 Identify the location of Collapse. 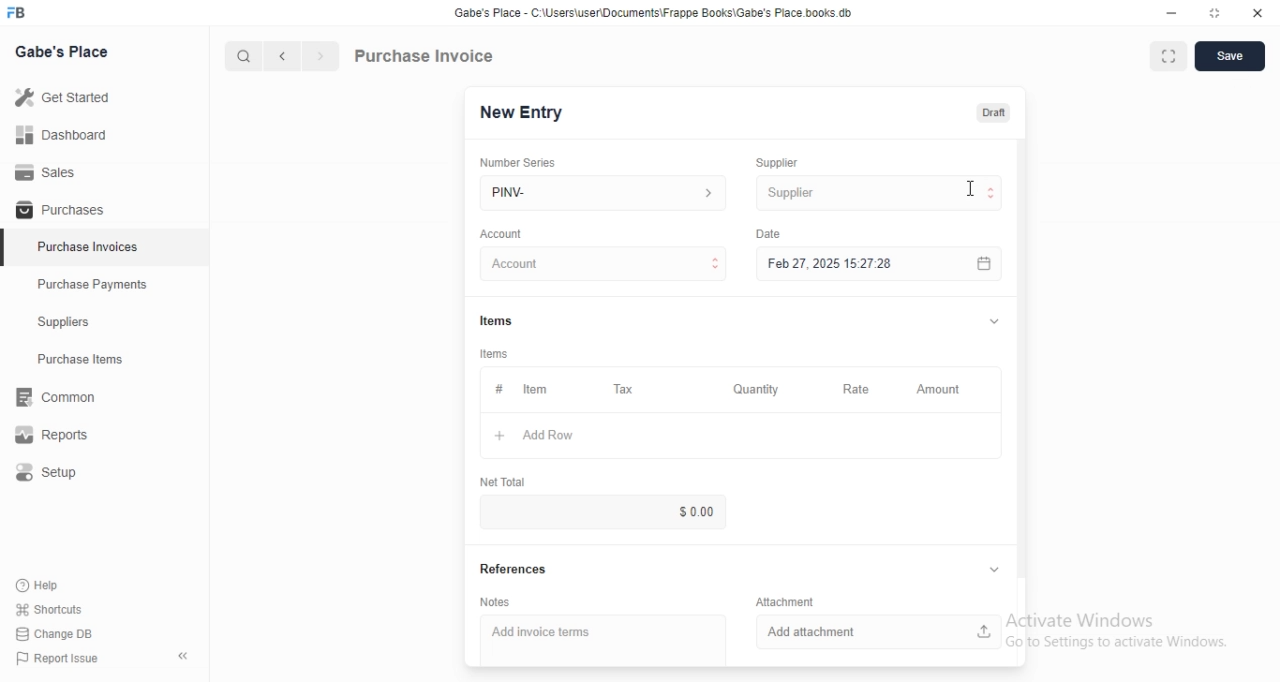
(994, 321).